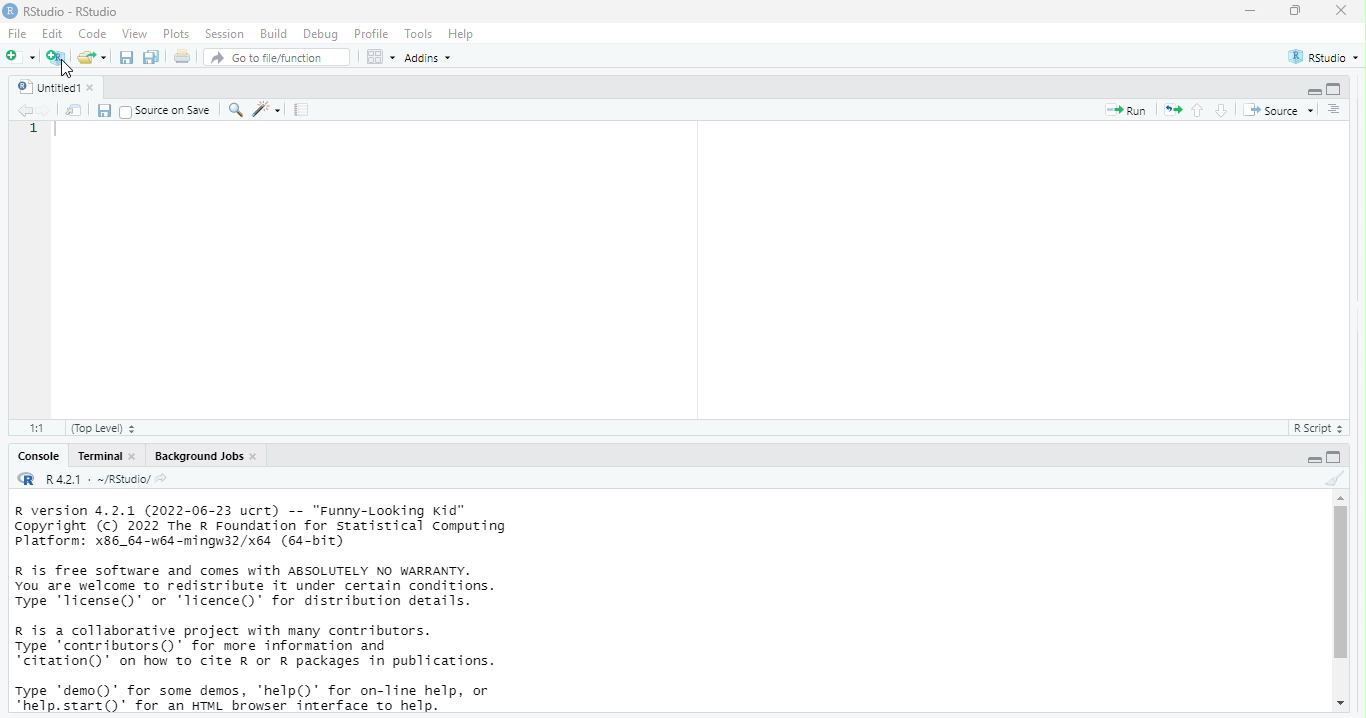 Image resolution: width=1366 pixels, height=718 pixels. What do you see at coordinates (71, 72) in the screenshot?
I see `cursor` at bounding box center [71, 72].